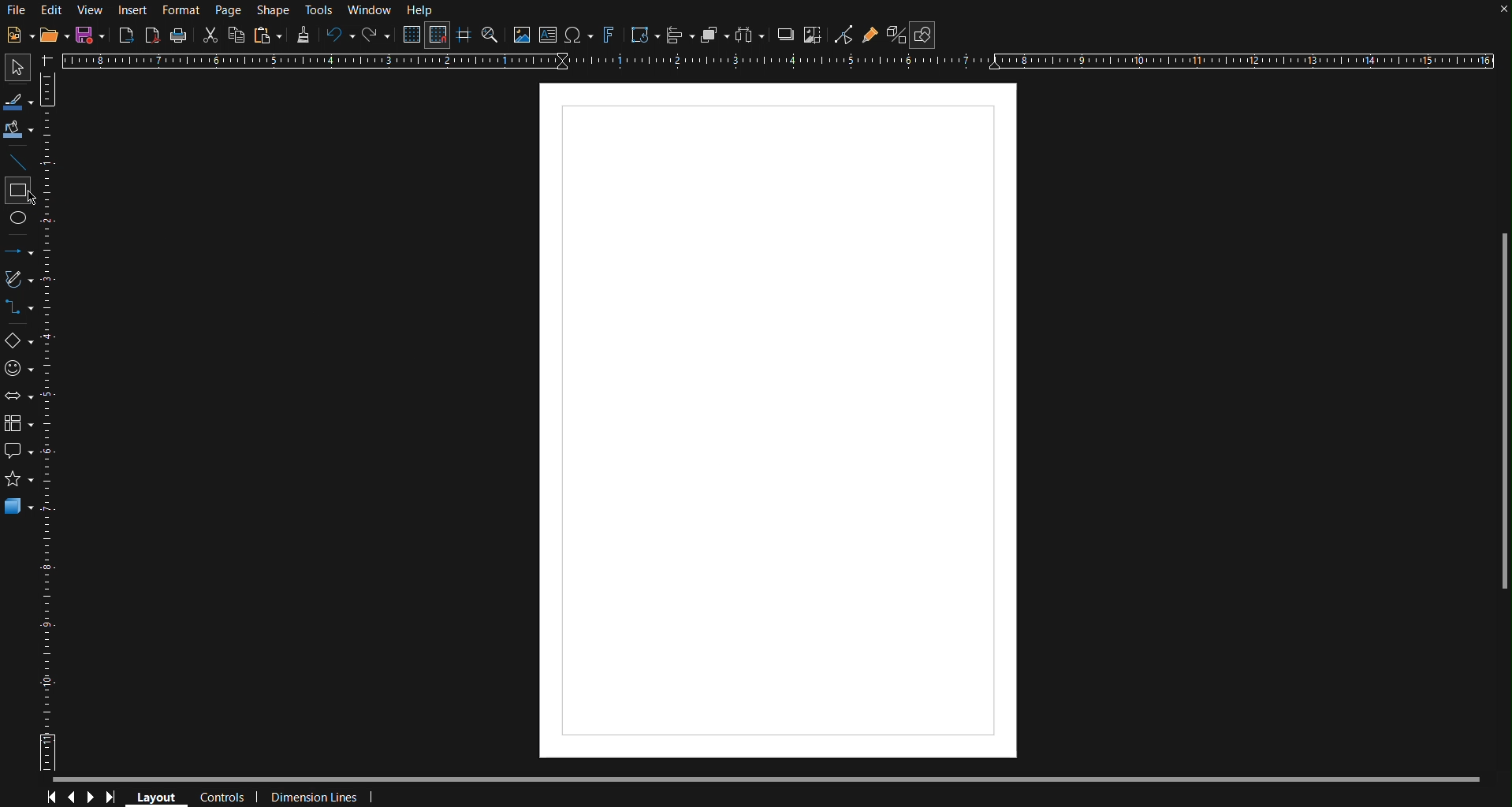  What do you see at coordinates (178, 36) in the screenshot?
I see `Print` at bounding box center [178, 36].